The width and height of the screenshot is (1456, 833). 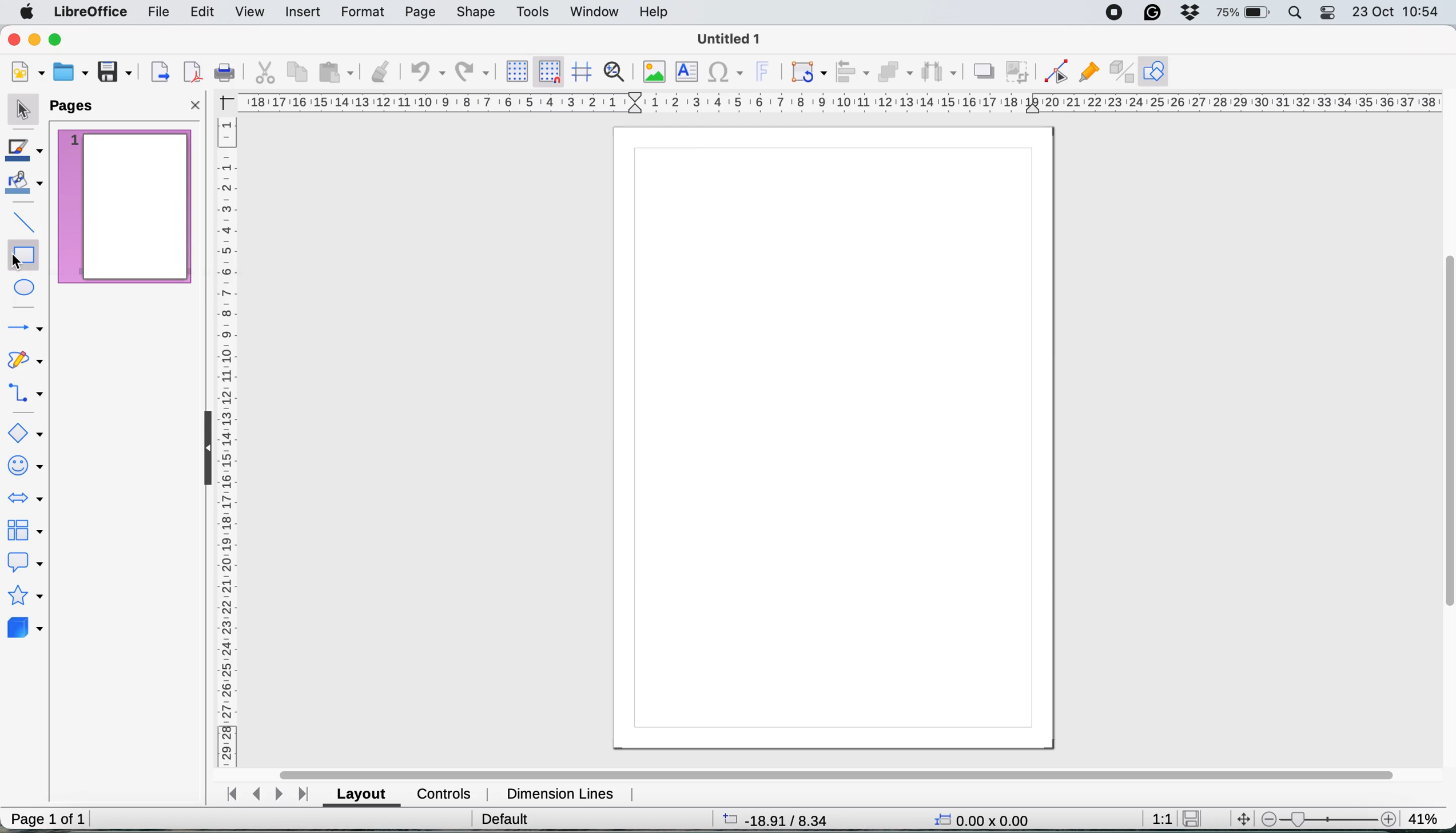 I want to click on page, so click(x=834, y=441).